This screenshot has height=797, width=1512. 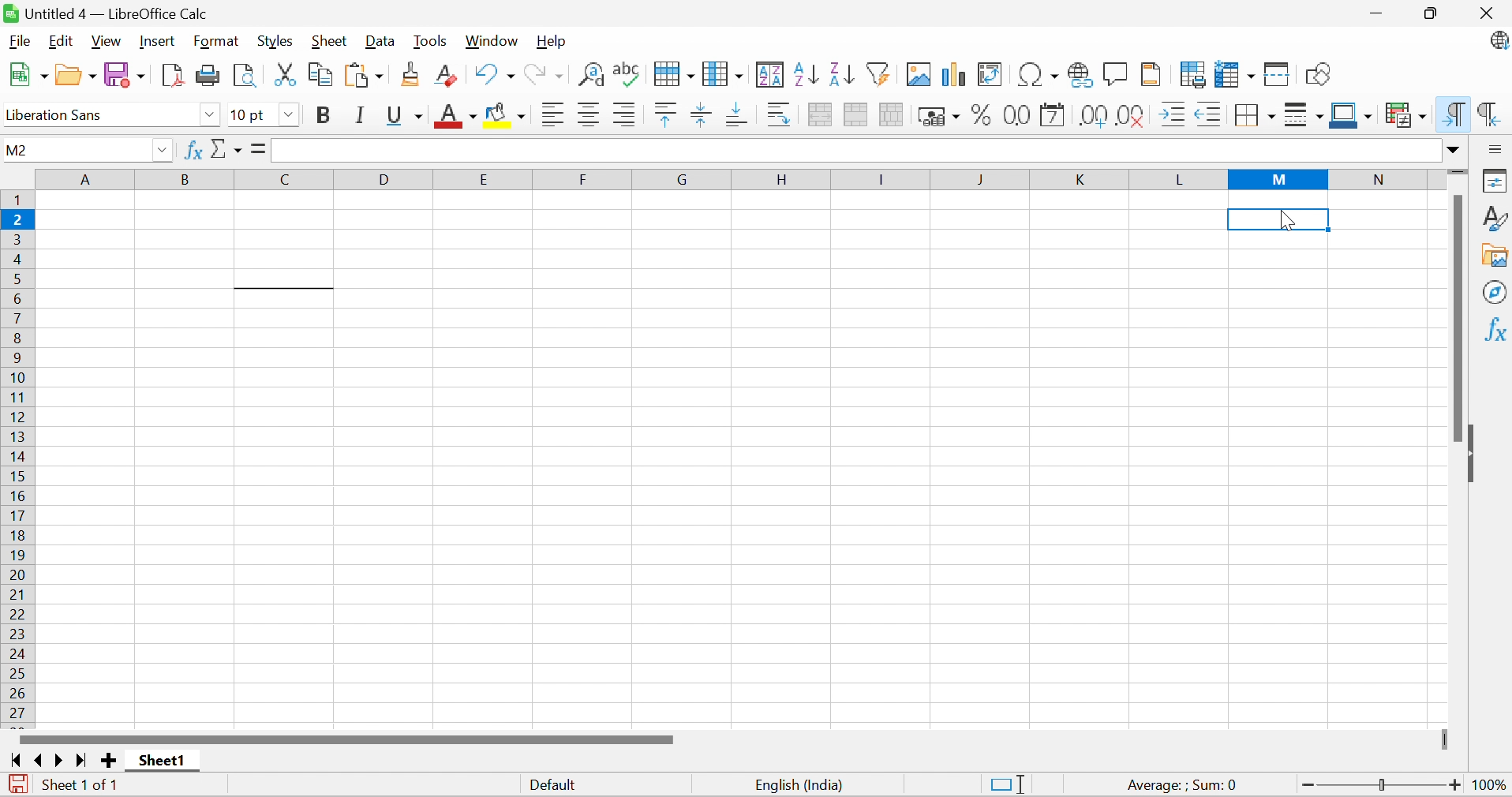 What do you see at coordinates (97, 116) in the screenshot?
I see `Font name` at bounding box center [97, 116].